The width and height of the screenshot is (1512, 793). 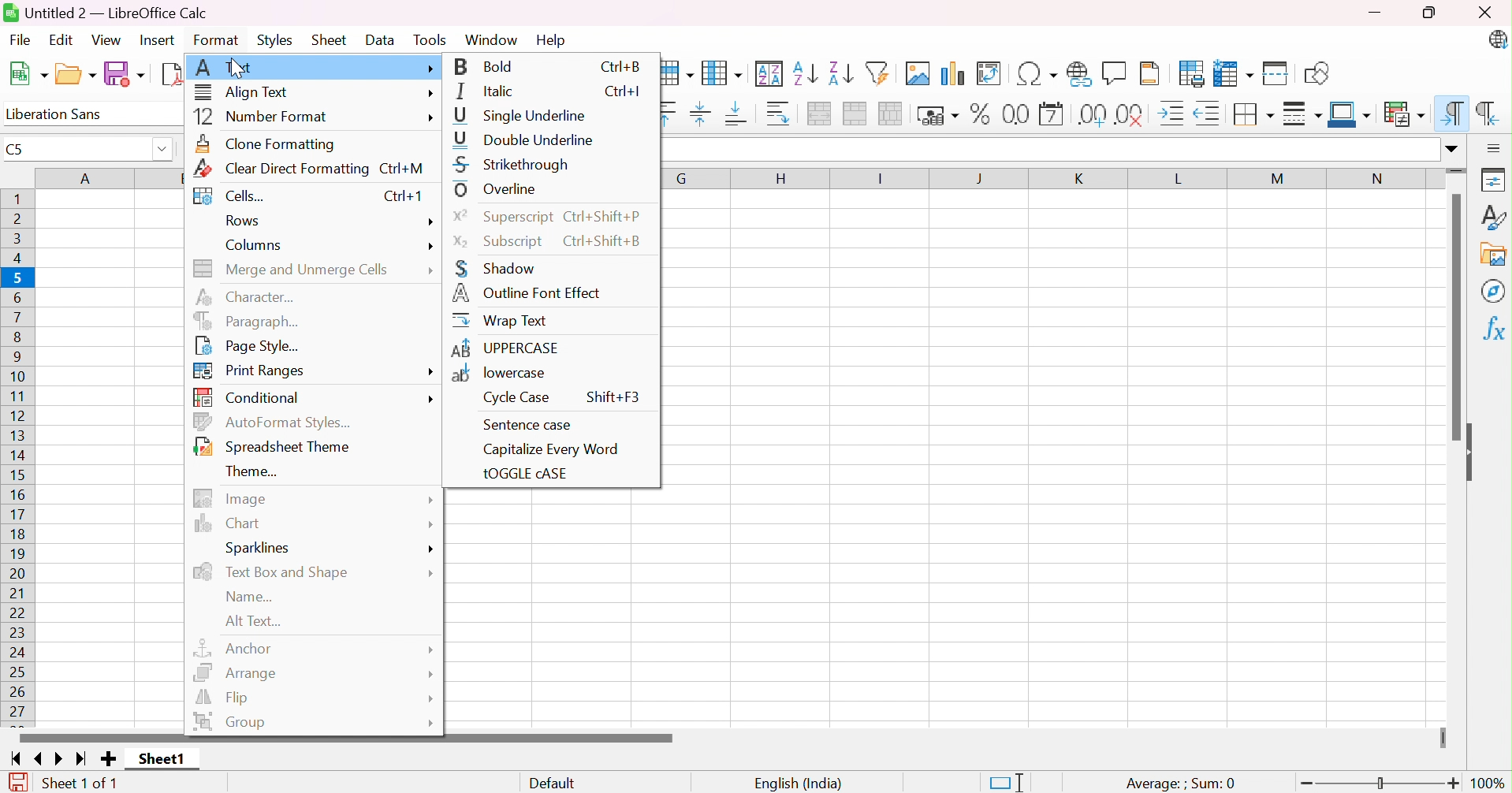 What do you see at coordinates (938, 114) in the screenshot?
I see `Format as Currency` at bounding box center [938, 114].